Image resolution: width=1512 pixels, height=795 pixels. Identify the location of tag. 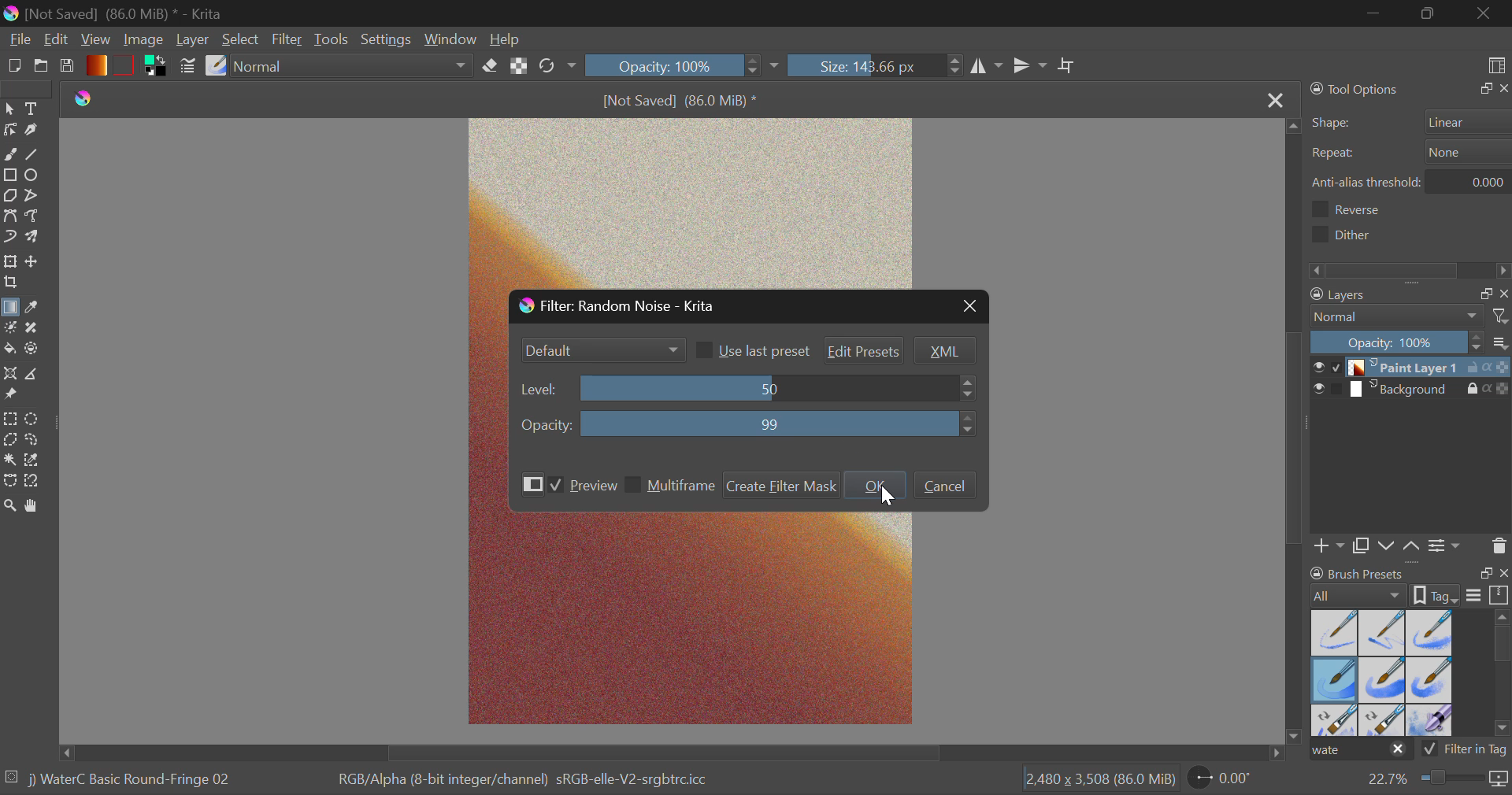
(1499, 752).